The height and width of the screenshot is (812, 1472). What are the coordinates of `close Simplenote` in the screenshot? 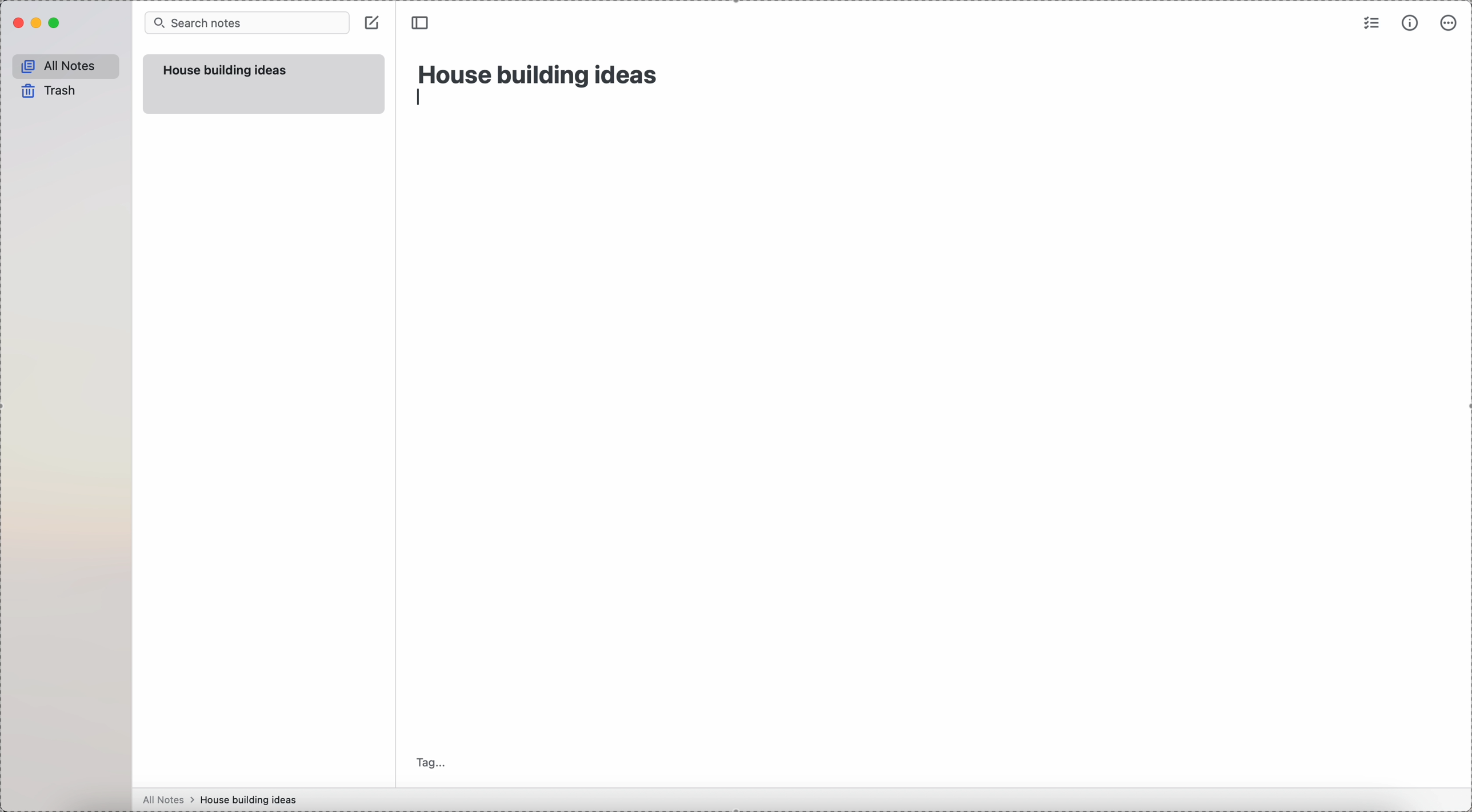 It's located at (18, 23).